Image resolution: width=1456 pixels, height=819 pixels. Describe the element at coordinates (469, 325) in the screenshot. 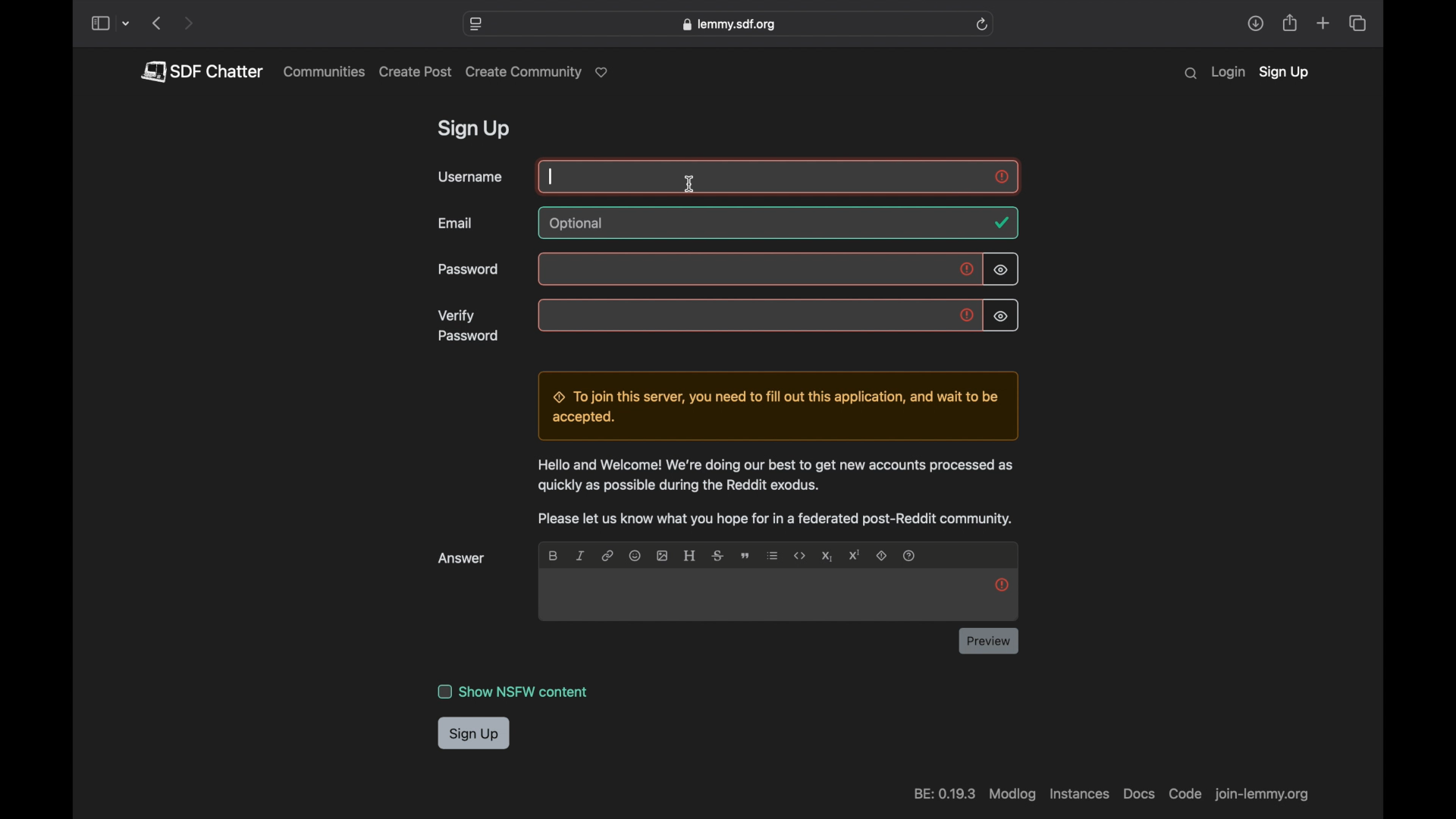

I see `verify password` at that location.